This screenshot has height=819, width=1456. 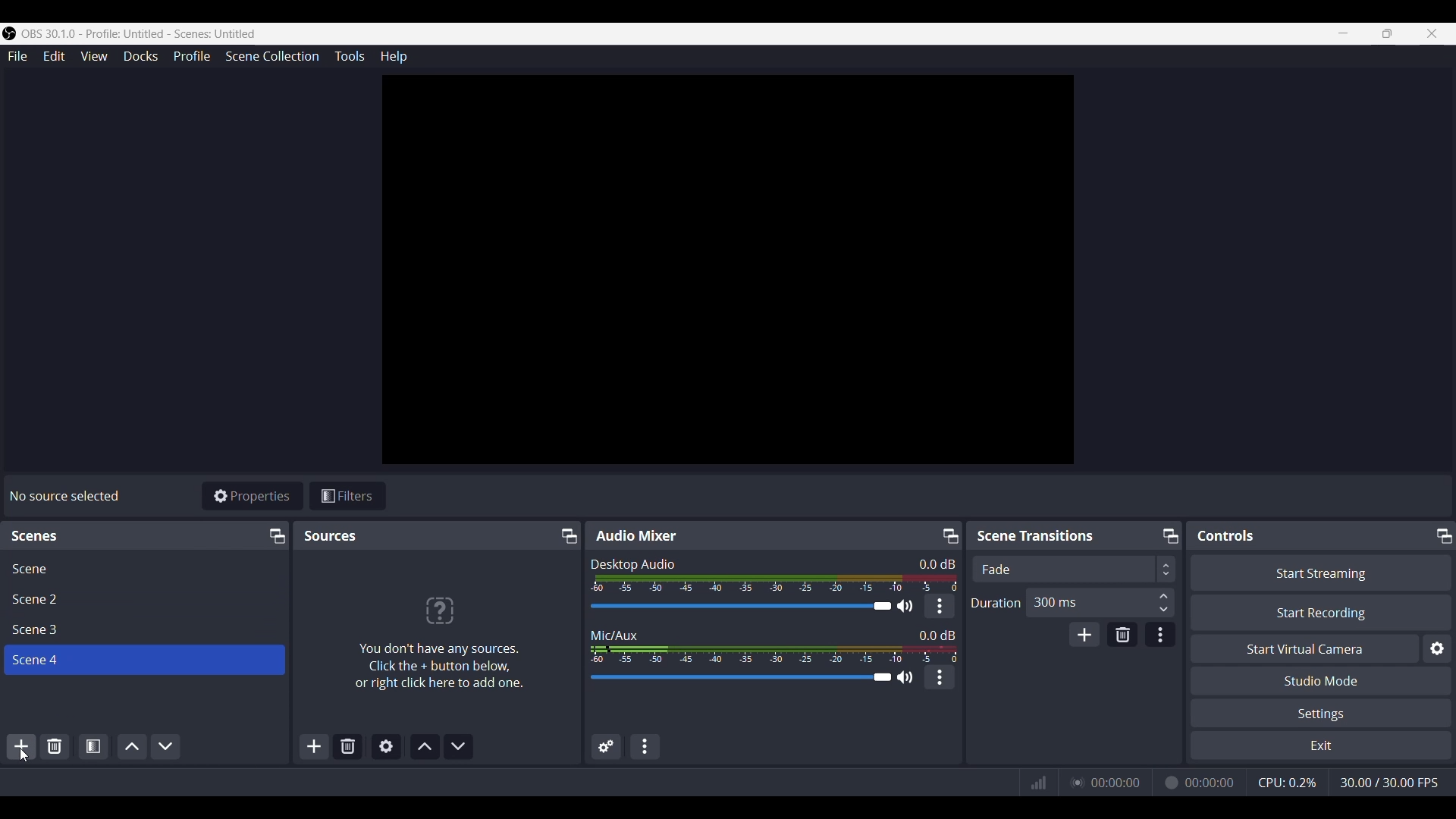 What do you see at coordinates (350, 56) in the screenshot?
I see `Tools` at bounding box center [350, 56].